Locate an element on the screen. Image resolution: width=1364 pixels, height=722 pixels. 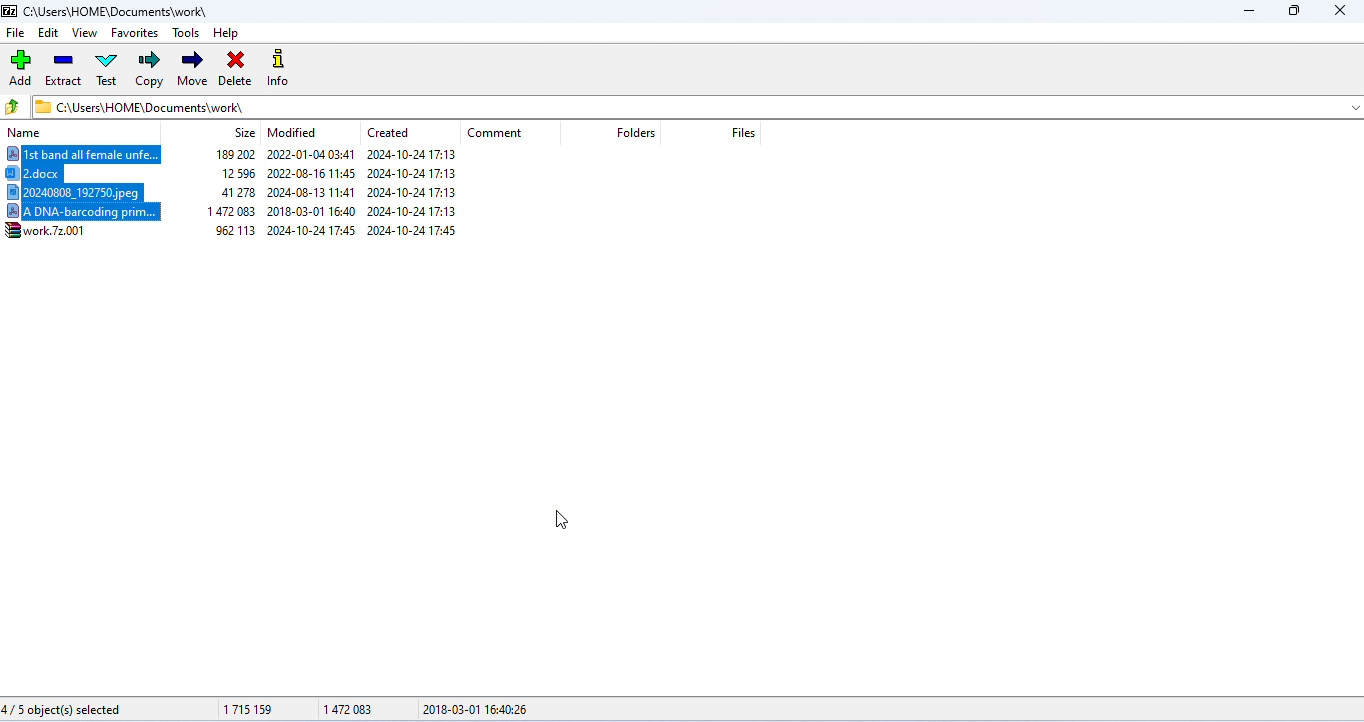
/ADNA-barcoding prim... | ~~ 1472083 2018-03-01 16:40 2024-10-24 17:13 is located at coordinates (256, 214).